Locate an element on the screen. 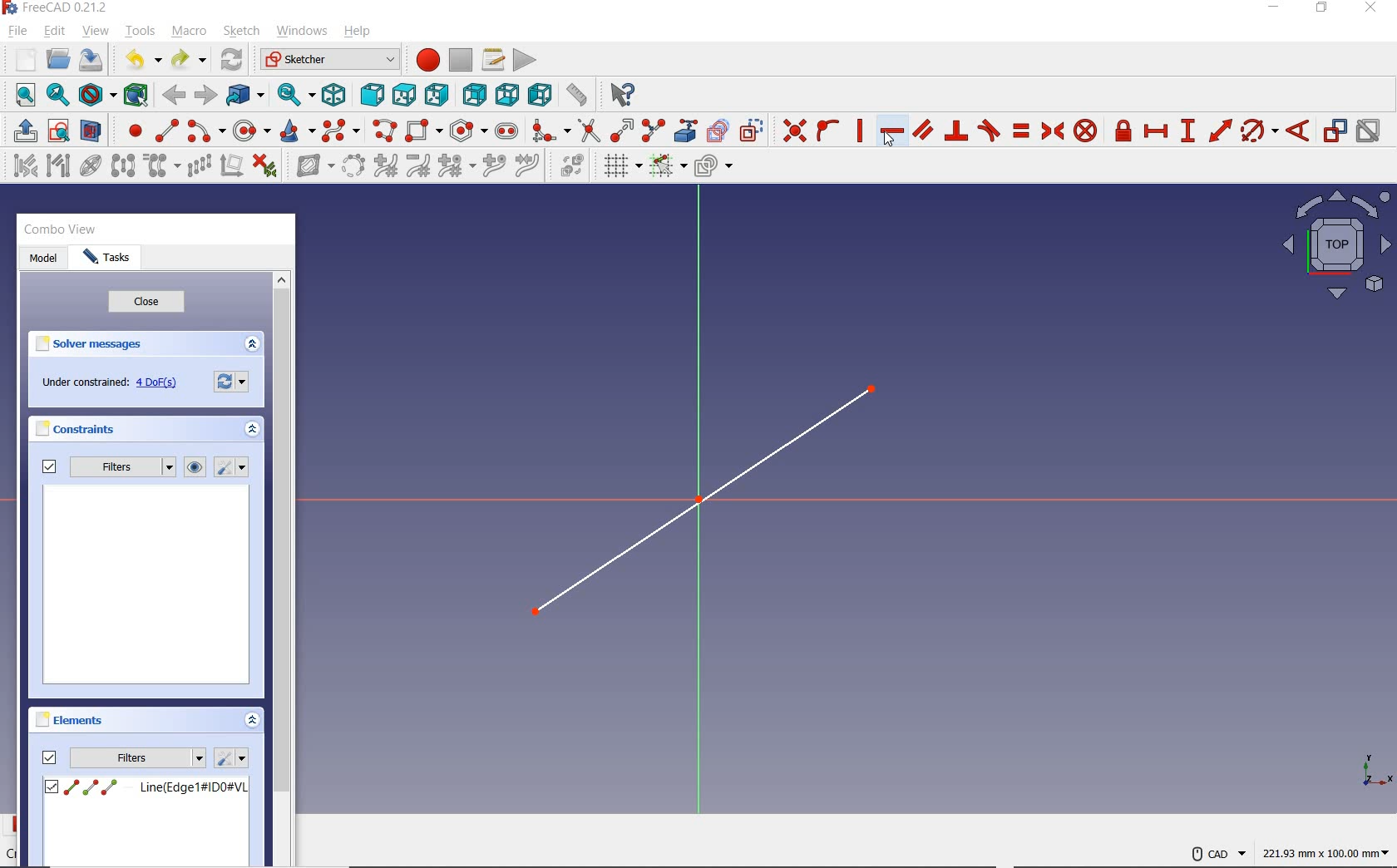 The height and width of the screenshot is (868, 1397). FILTERS is located at coordinates (123, 467).